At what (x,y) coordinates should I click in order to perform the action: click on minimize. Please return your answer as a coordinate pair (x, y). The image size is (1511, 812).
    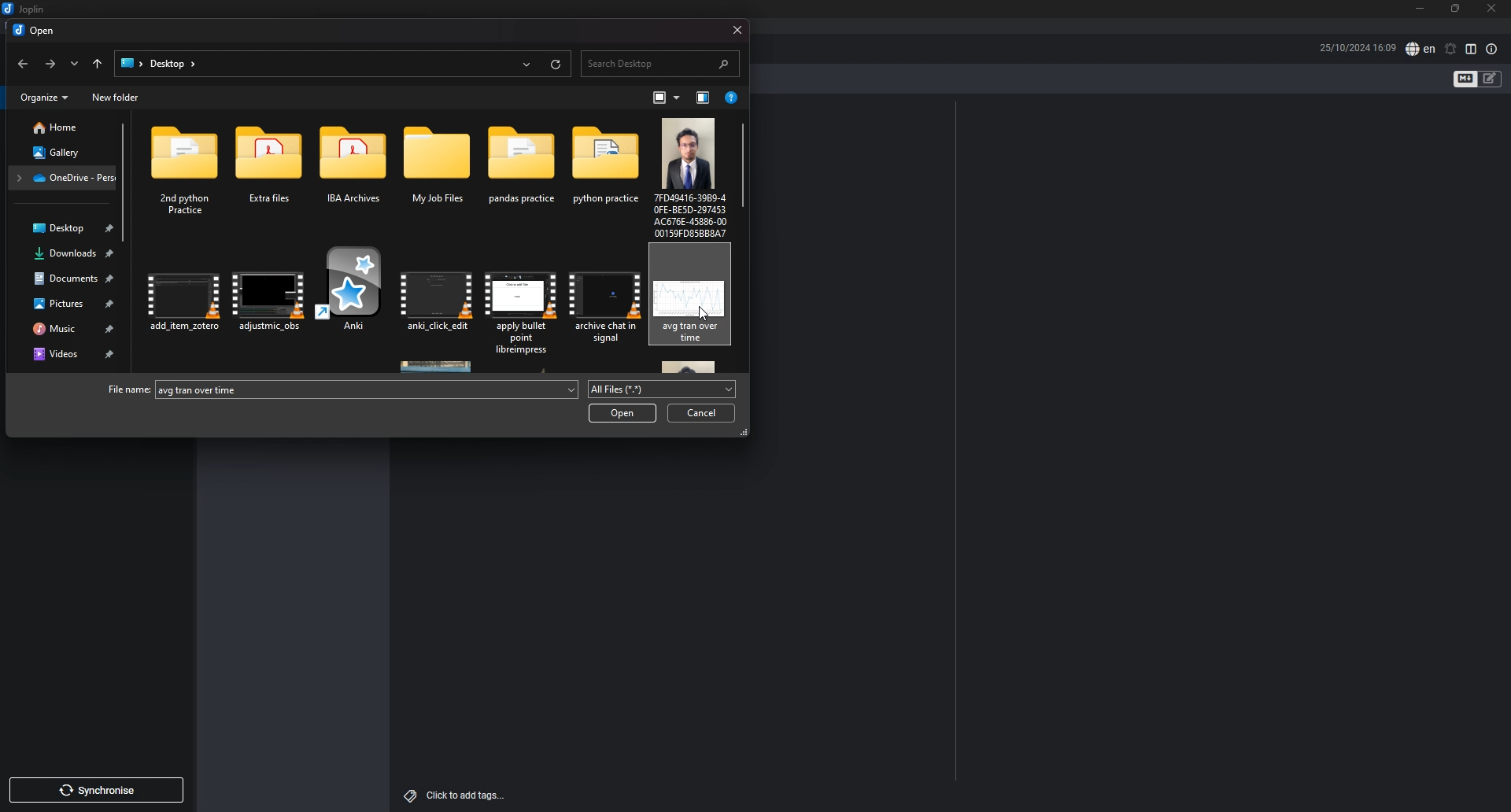
    Looking at the image, I should click on (1420, 9).